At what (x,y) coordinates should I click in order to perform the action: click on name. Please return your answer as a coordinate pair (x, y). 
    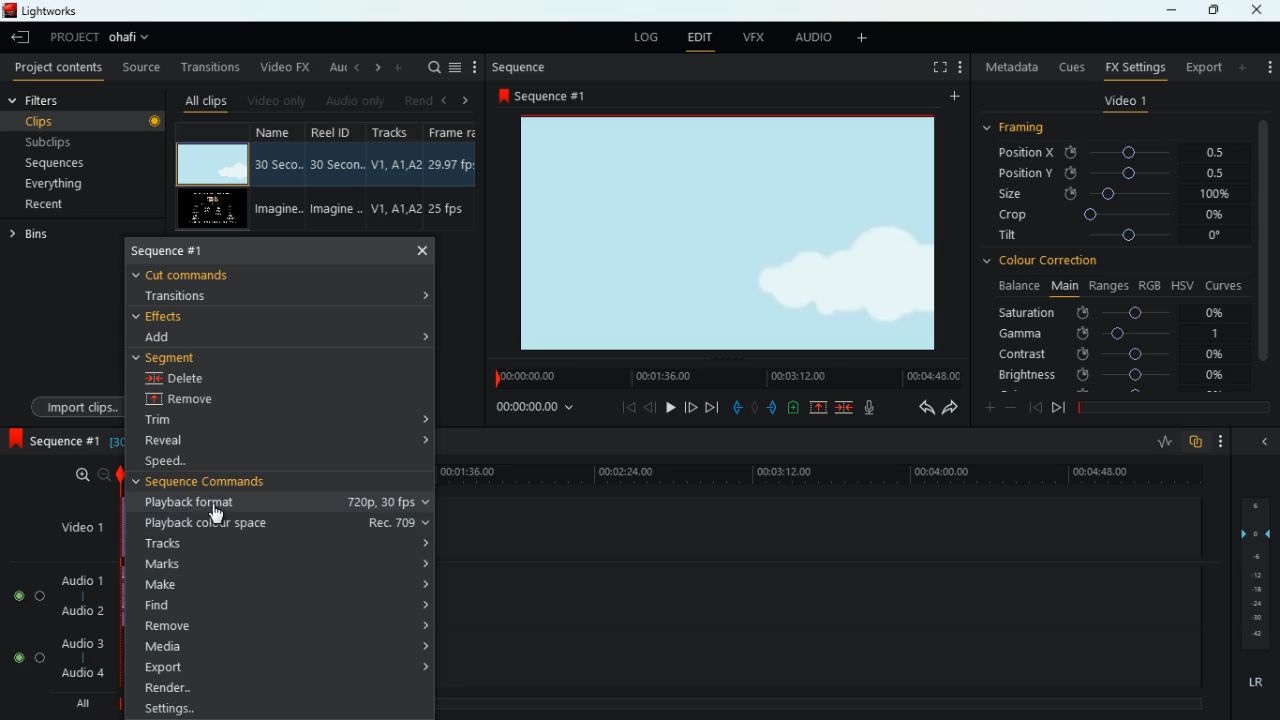
    Looking at the image, I should click on (275, 177).